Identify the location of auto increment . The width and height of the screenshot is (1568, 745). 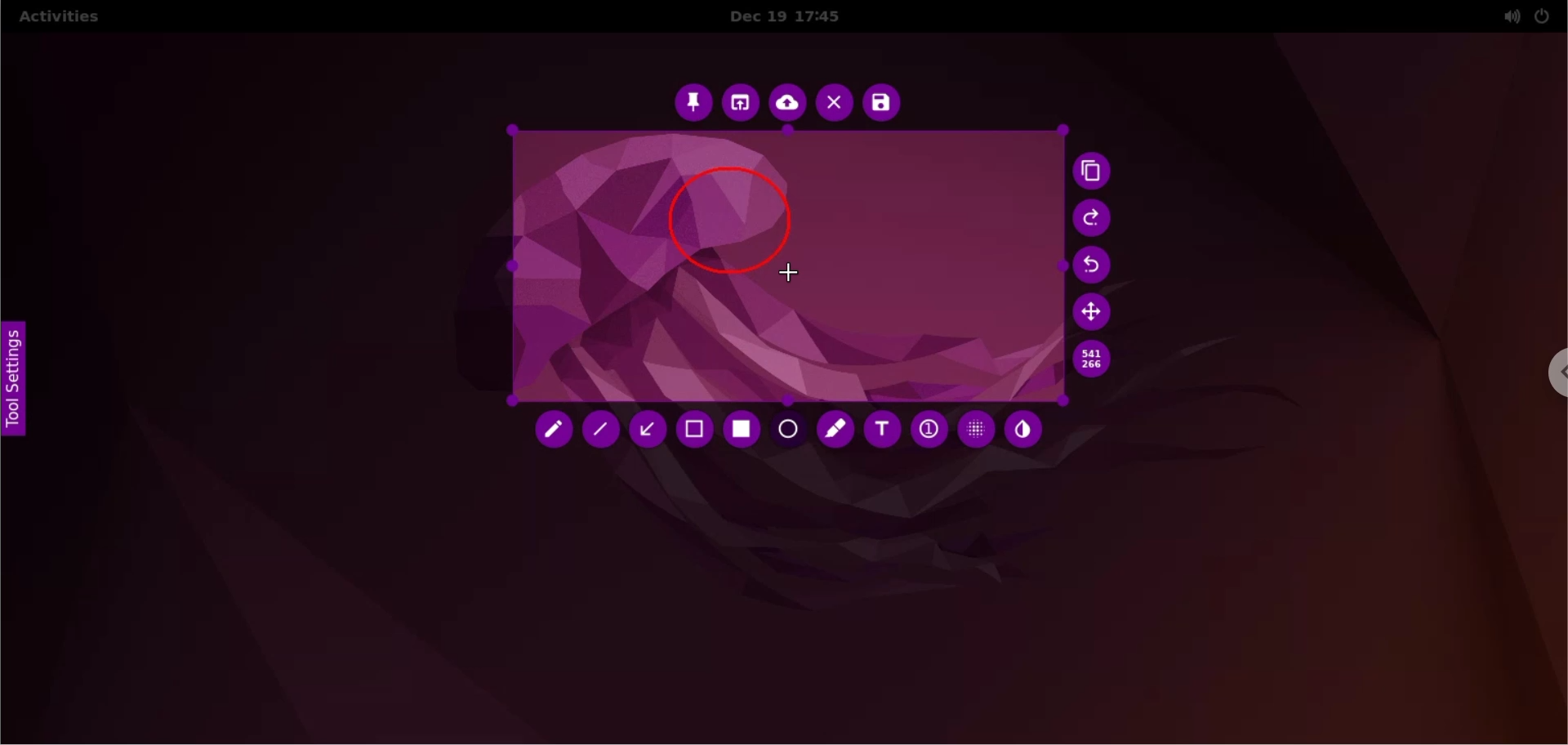
(927, 428).